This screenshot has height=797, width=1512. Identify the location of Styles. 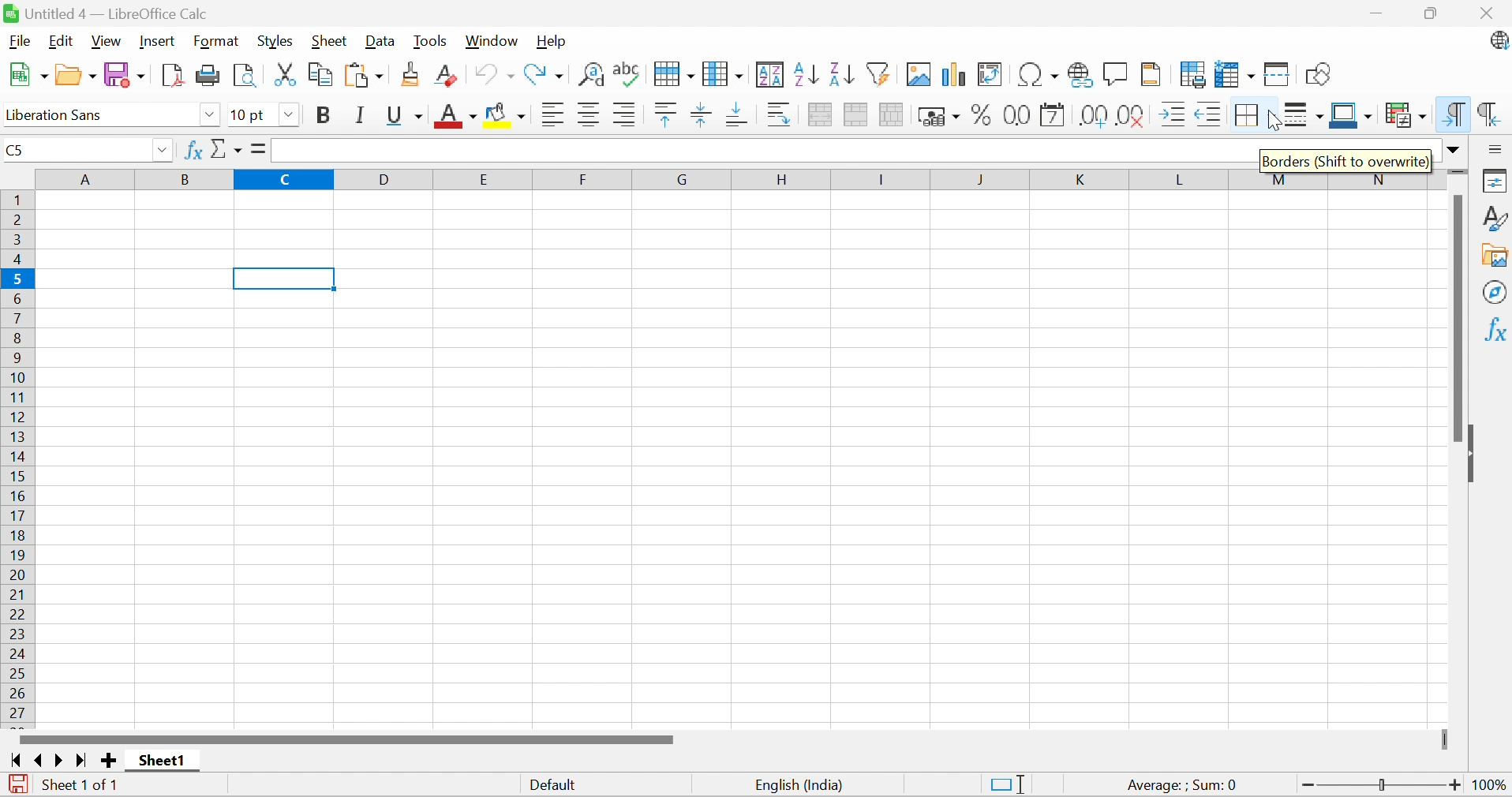
(1496, 217).